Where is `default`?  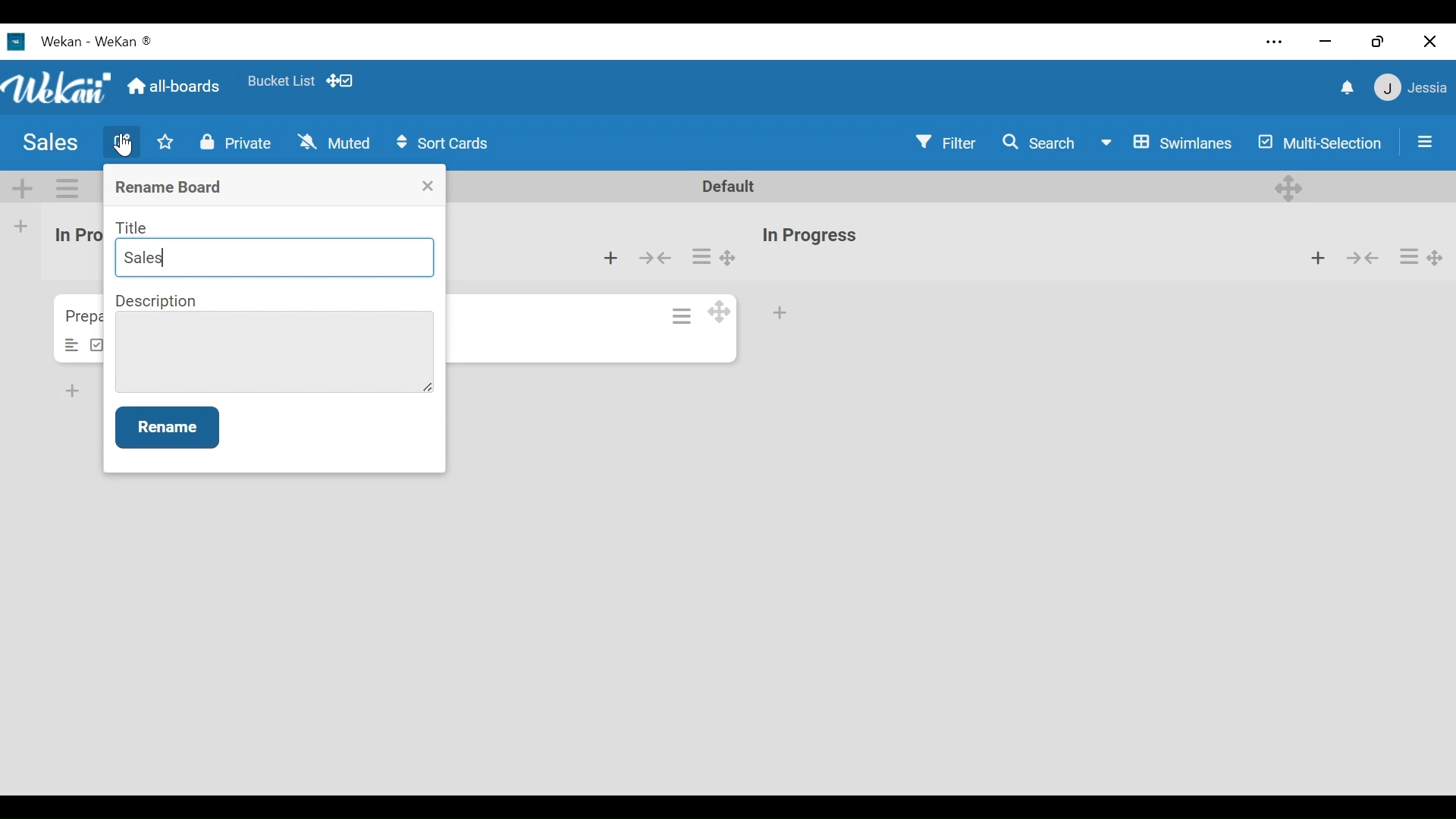
default is located at coordinates (734, 187).